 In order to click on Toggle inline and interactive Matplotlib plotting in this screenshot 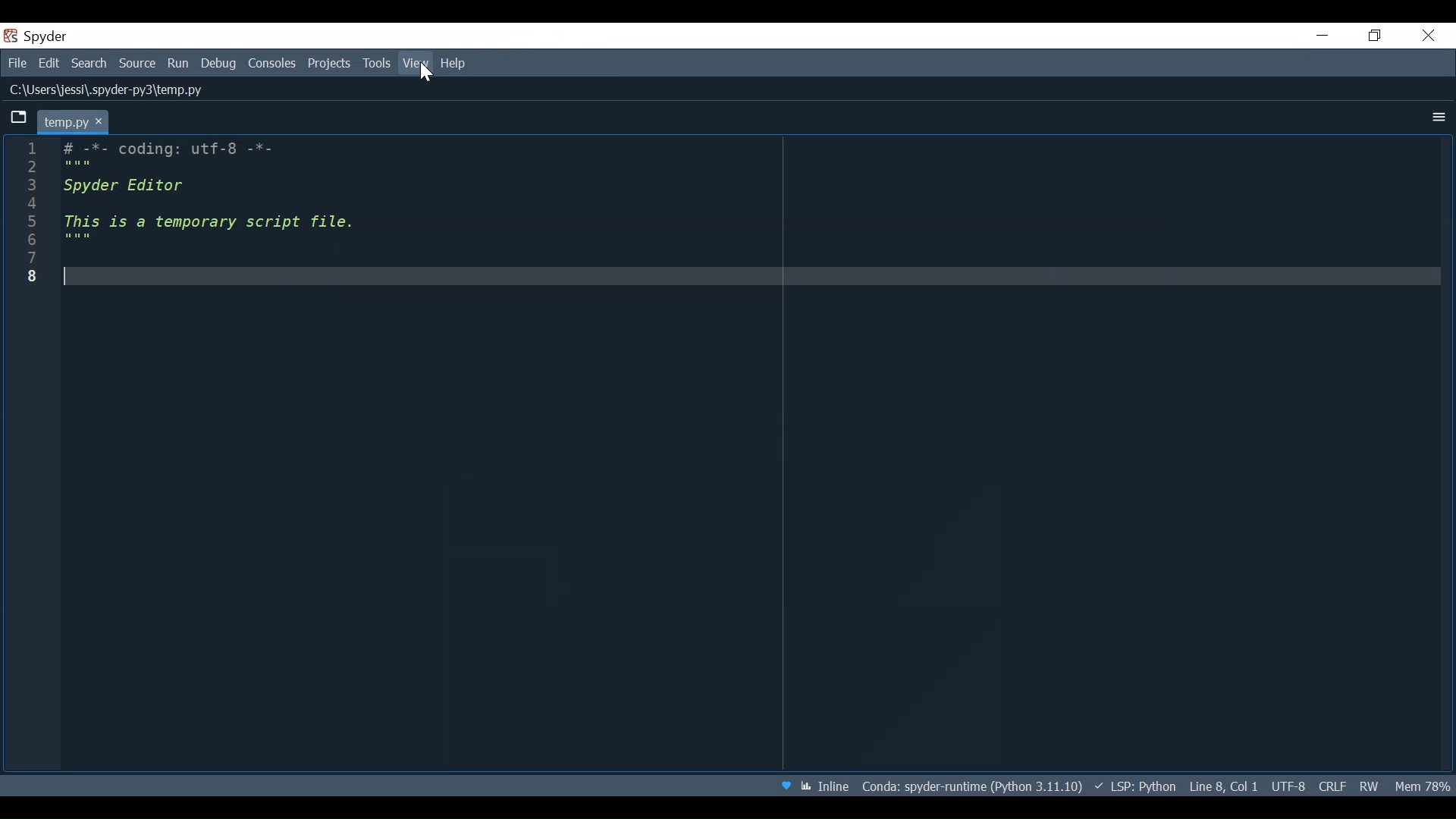, I will do `click(826, 786)`.